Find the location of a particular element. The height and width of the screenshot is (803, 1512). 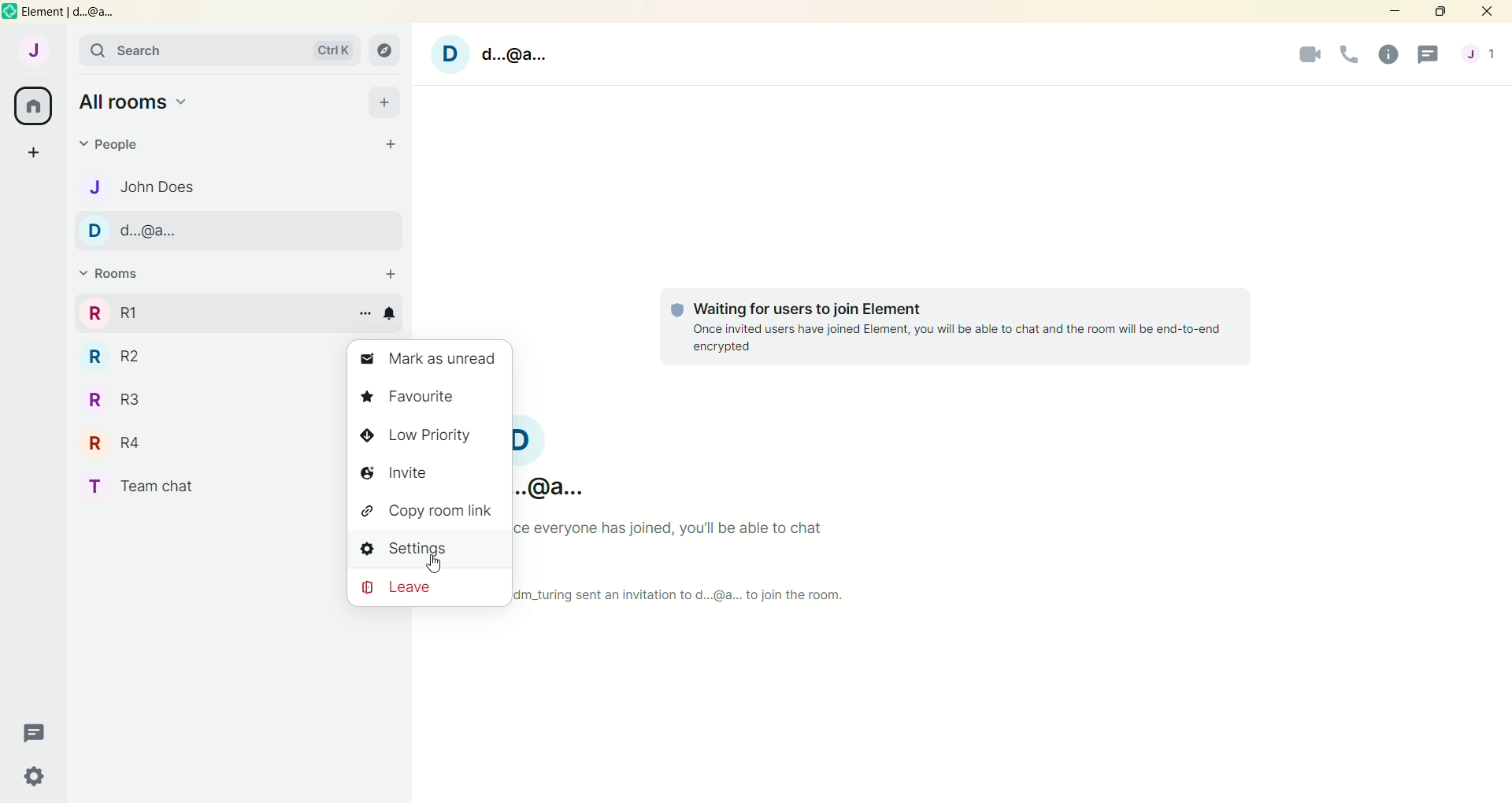

J John Does is located at coordinates (150, 190).